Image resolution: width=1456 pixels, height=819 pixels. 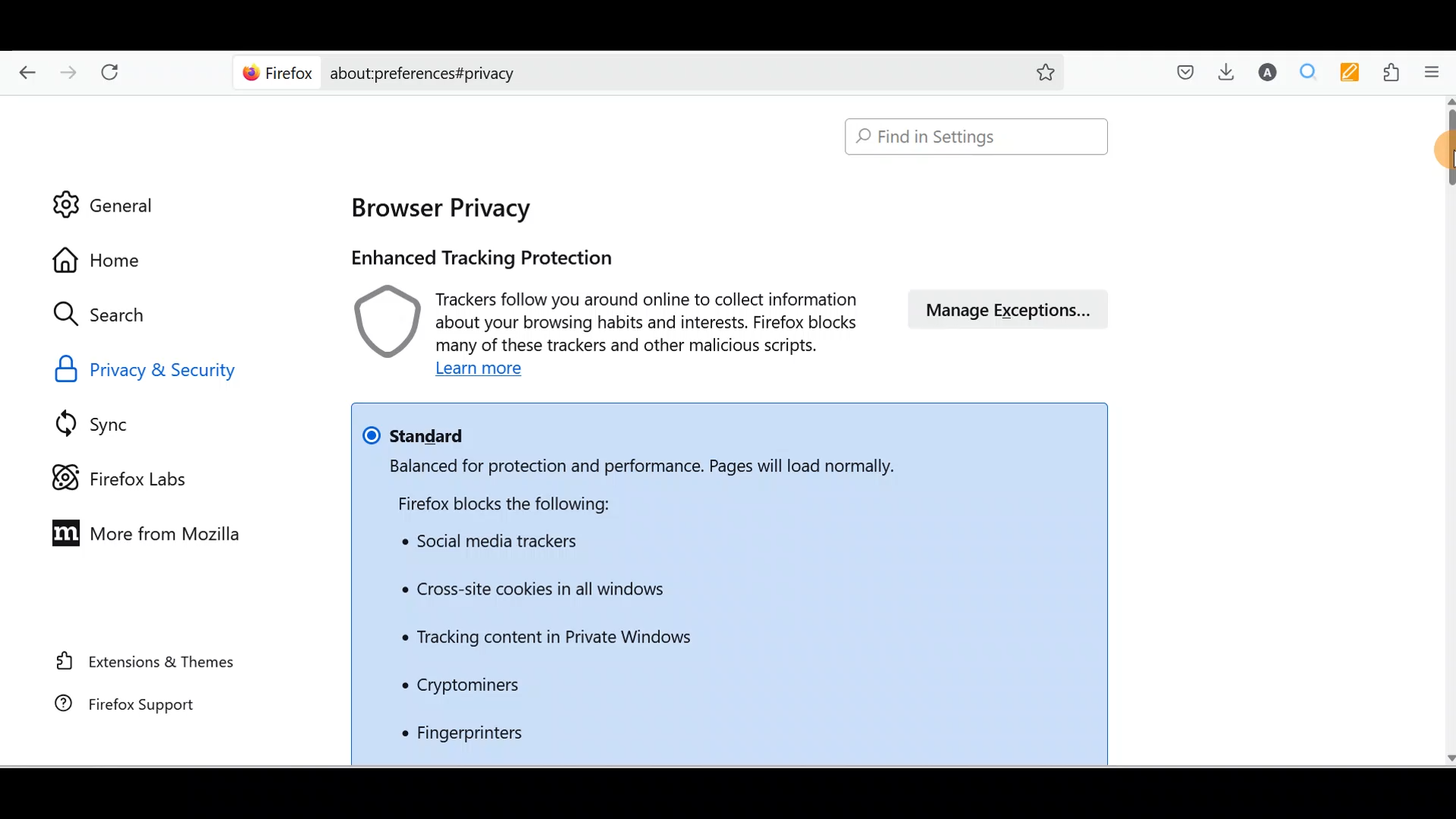 What do you see at coordinates (544, 639) in the screenshot?
I see `Tracking content in Private Windows` at bounding box center [544, 639].